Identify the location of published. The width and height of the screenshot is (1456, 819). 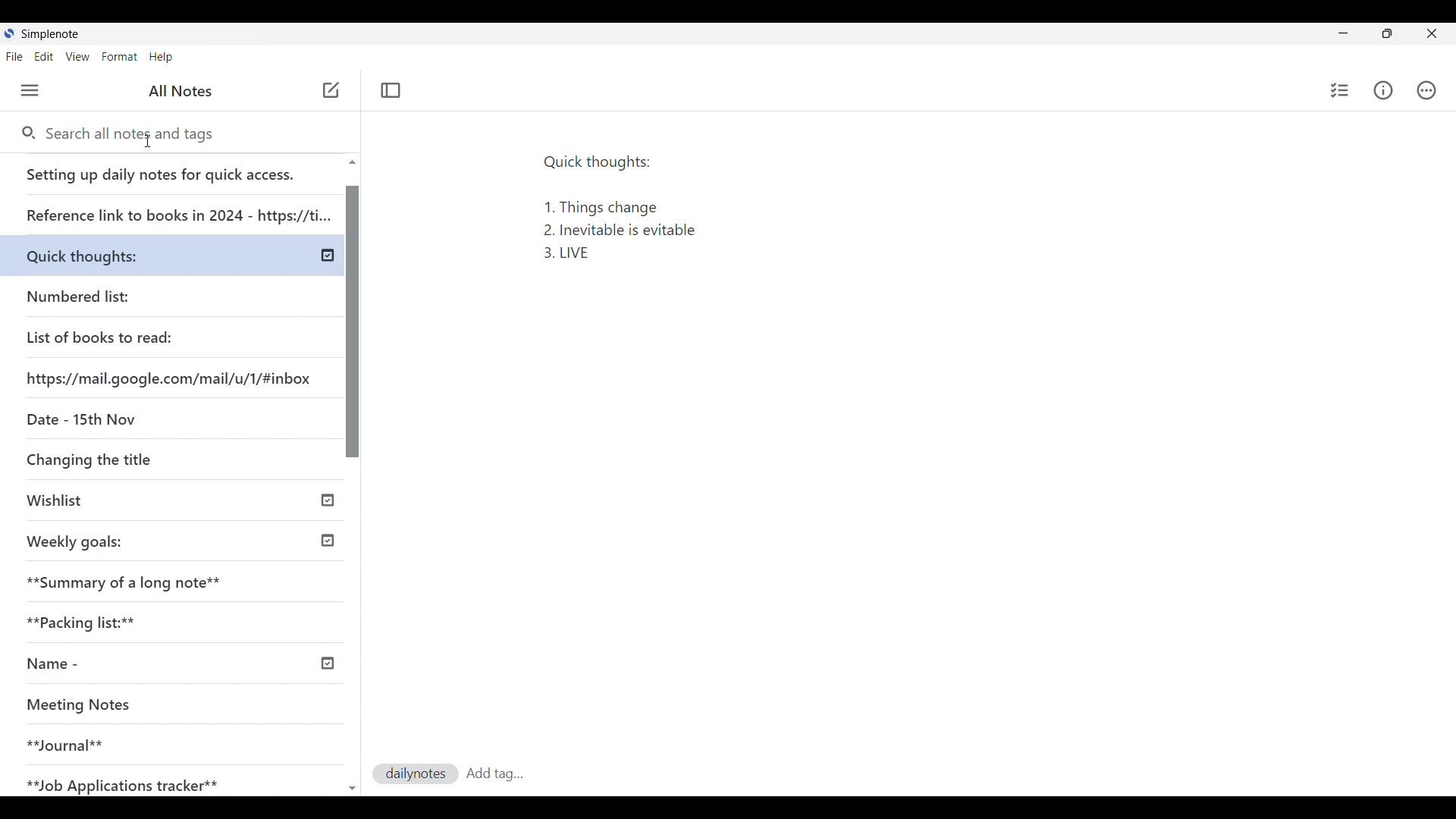
(328, 256).